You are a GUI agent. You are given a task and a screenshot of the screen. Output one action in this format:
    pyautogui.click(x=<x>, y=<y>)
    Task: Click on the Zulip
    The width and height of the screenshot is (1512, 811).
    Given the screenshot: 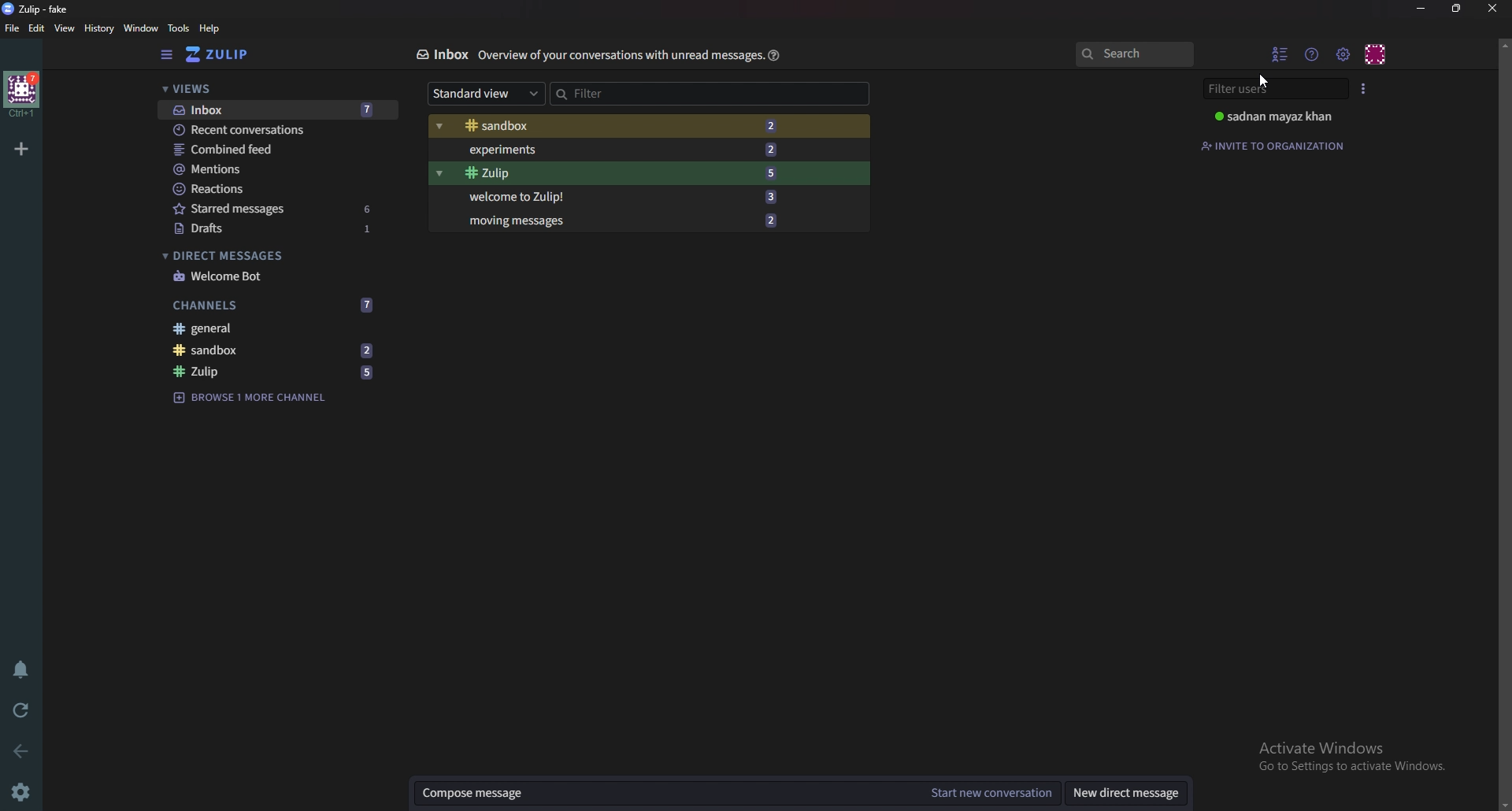 What is the action you would take?
    pyautogui.click(x=274, y=373)
    